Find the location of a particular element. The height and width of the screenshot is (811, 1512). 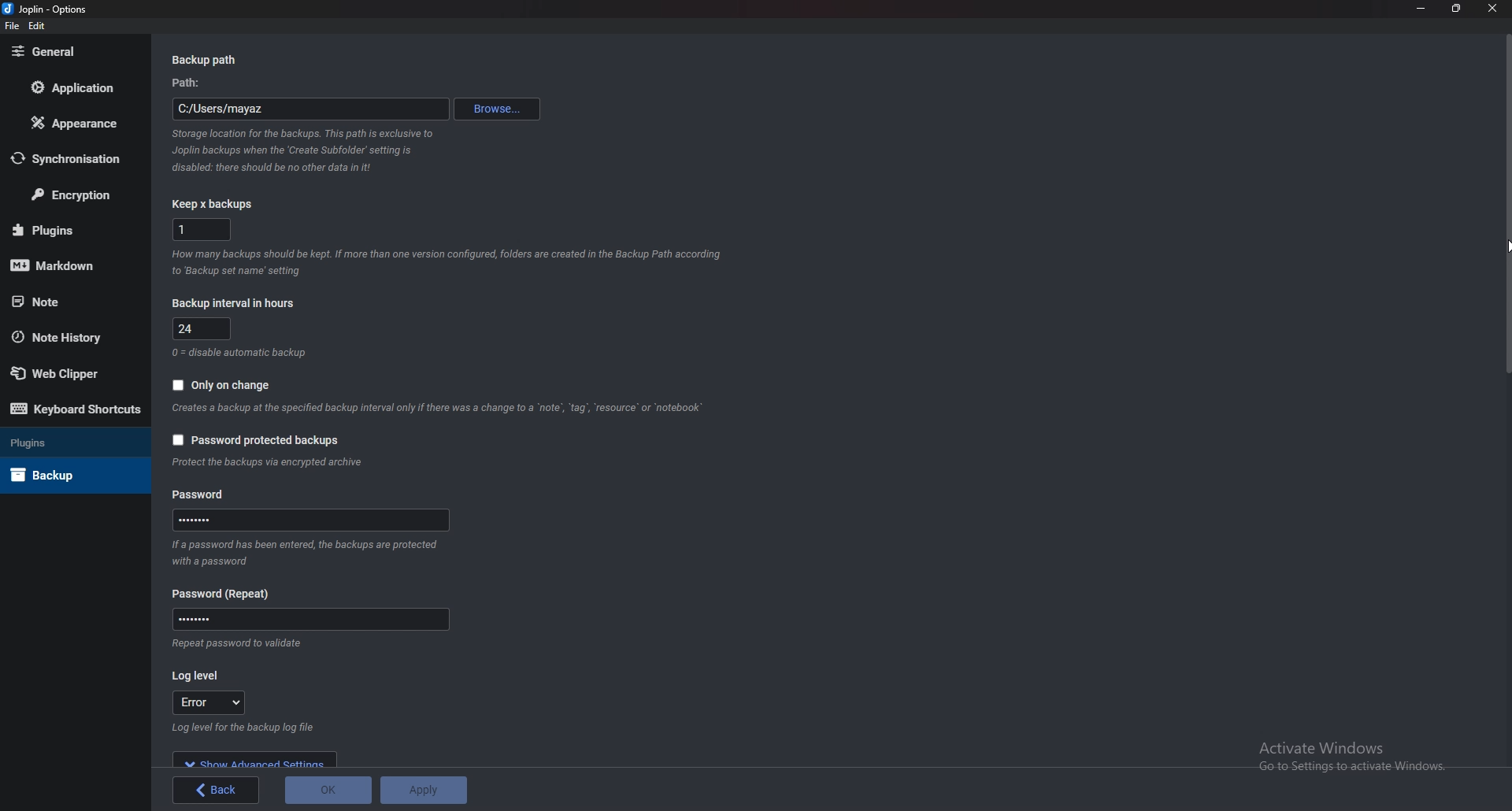

o K is located at coordinates (328, 791).